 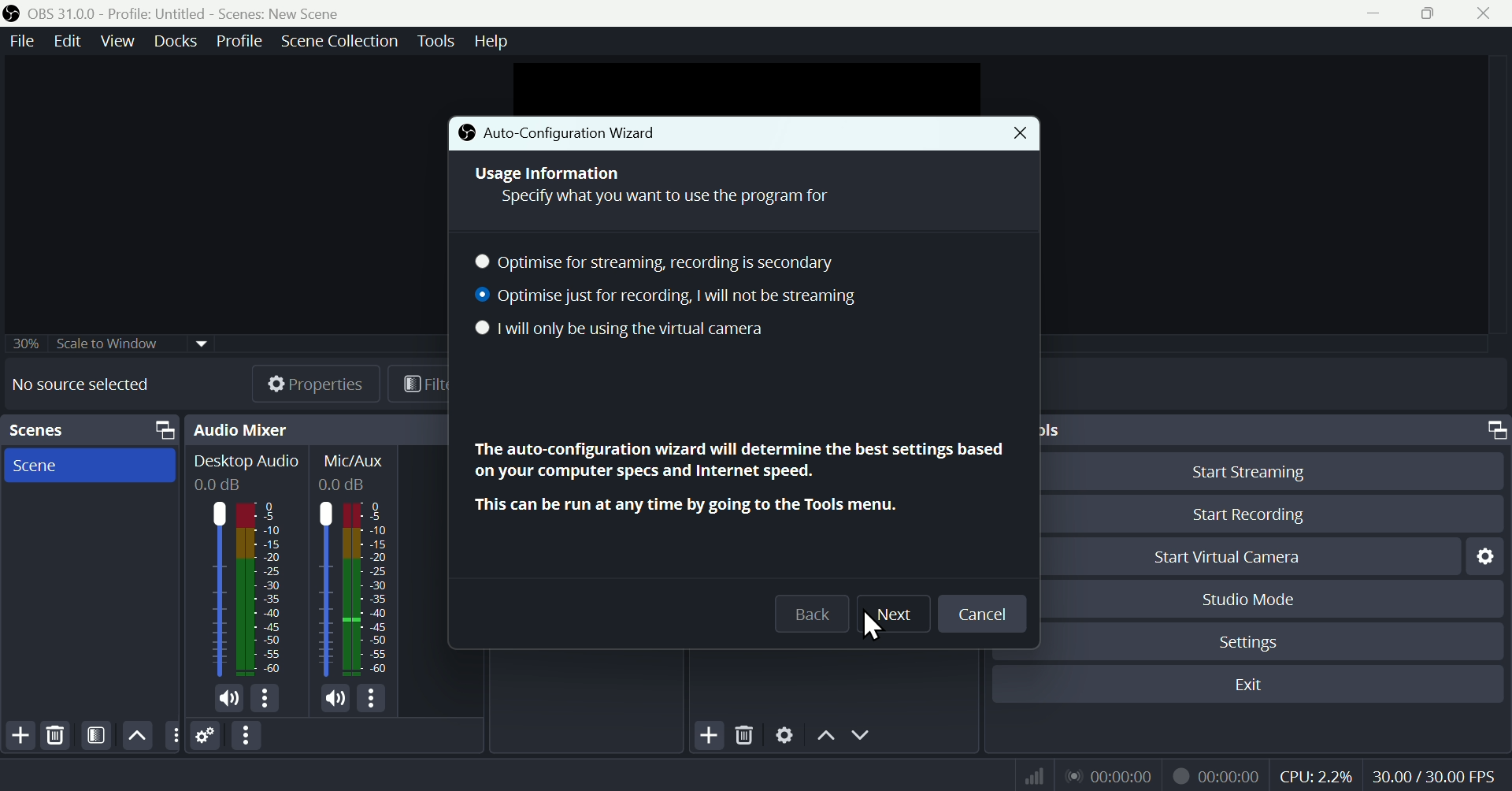 I want to click on Usage Information
Specify what you want to use the program for, so click(x=653, y=184).